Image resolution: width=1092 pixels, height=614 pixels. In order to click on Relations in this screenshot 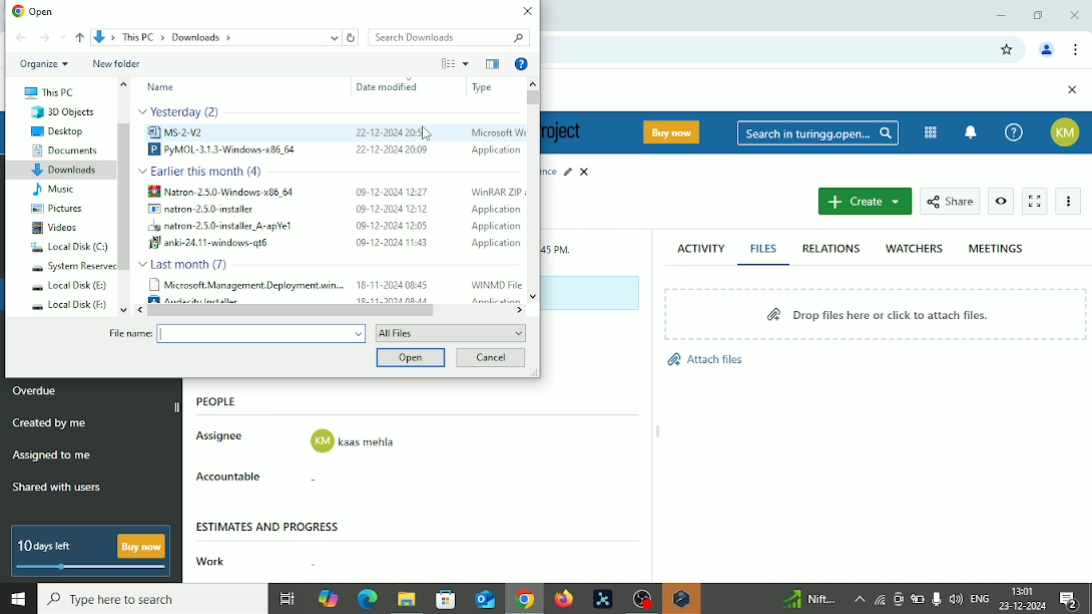, I will do `click(831, 249)`.